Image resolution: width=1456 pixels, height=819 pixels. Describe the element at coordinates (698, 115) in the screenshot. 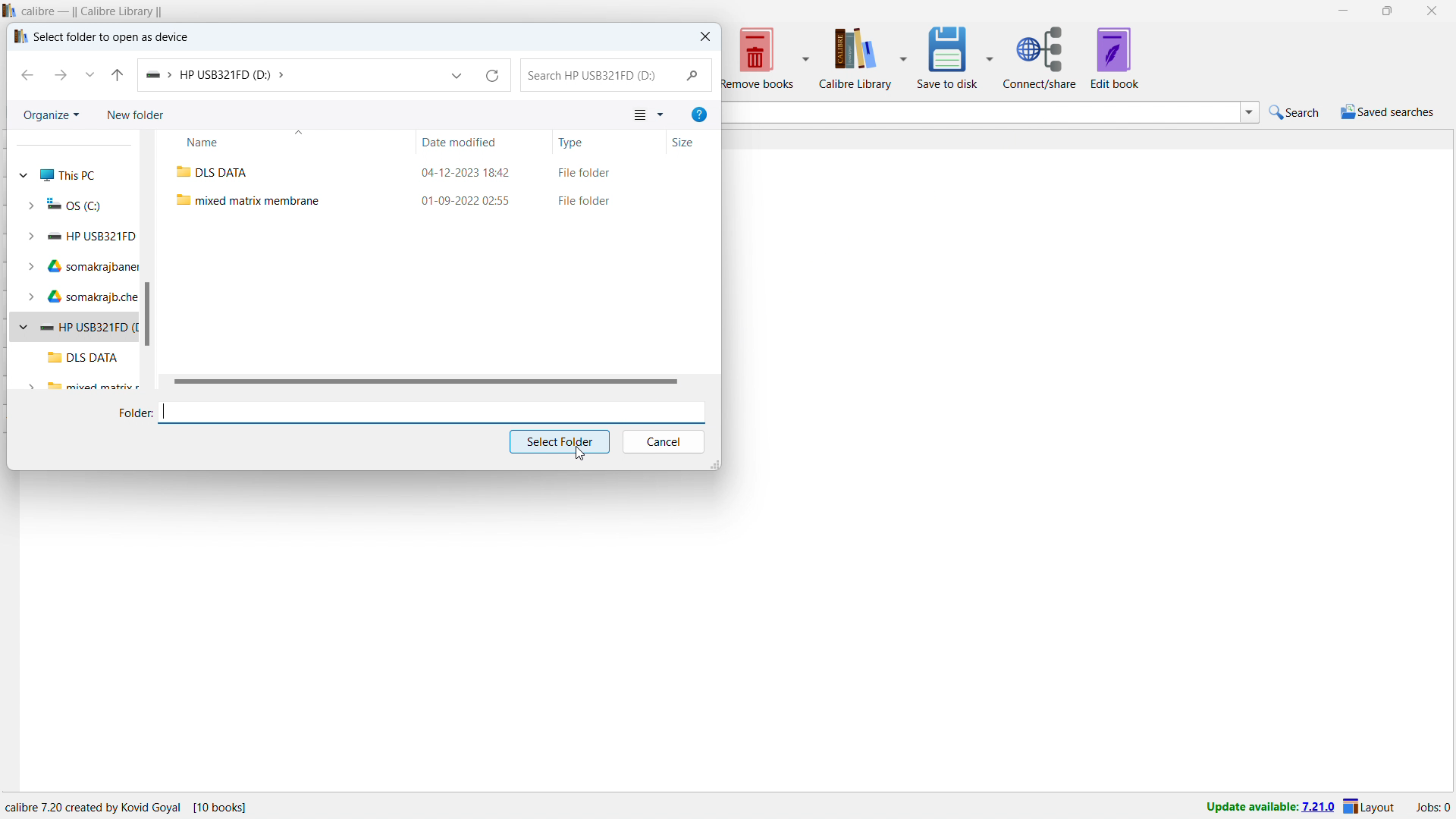

I see `help` at that location.